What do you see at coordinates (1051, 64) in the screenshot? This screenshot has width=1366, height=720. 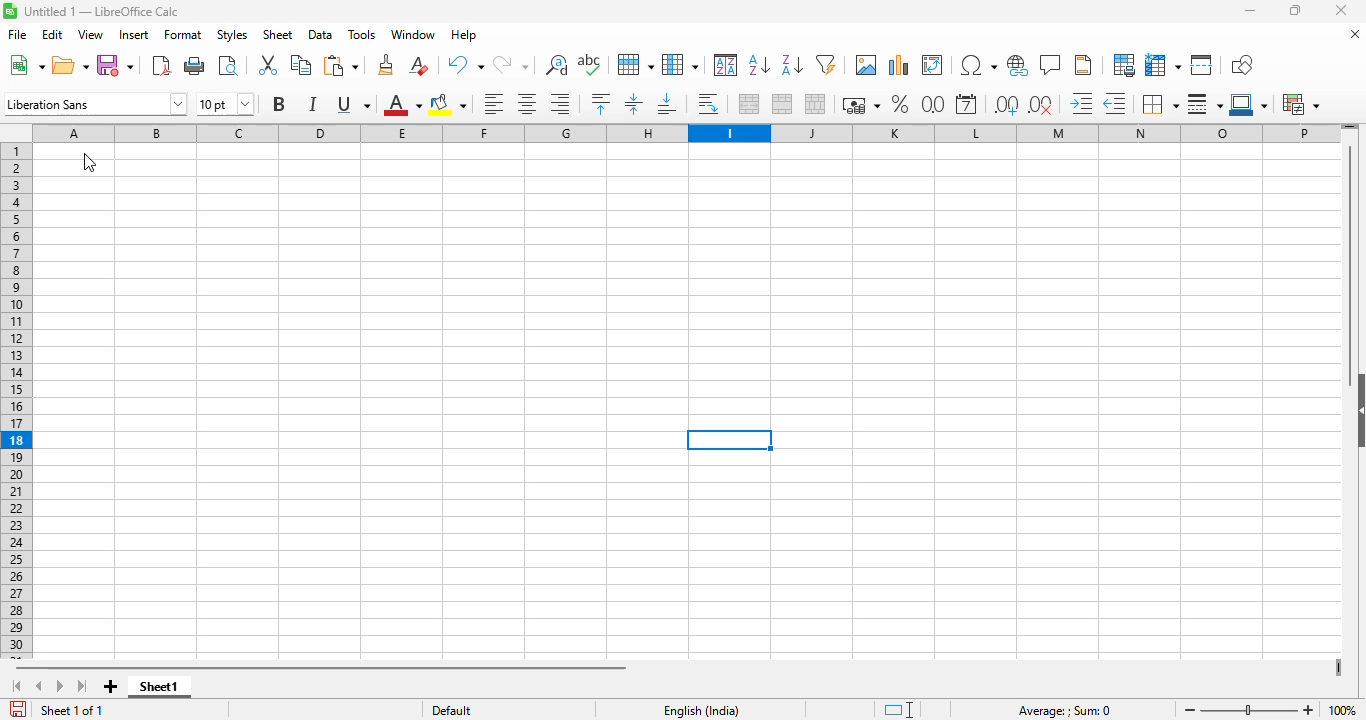 I see `insert comment` at bounding box center [1051, 64].